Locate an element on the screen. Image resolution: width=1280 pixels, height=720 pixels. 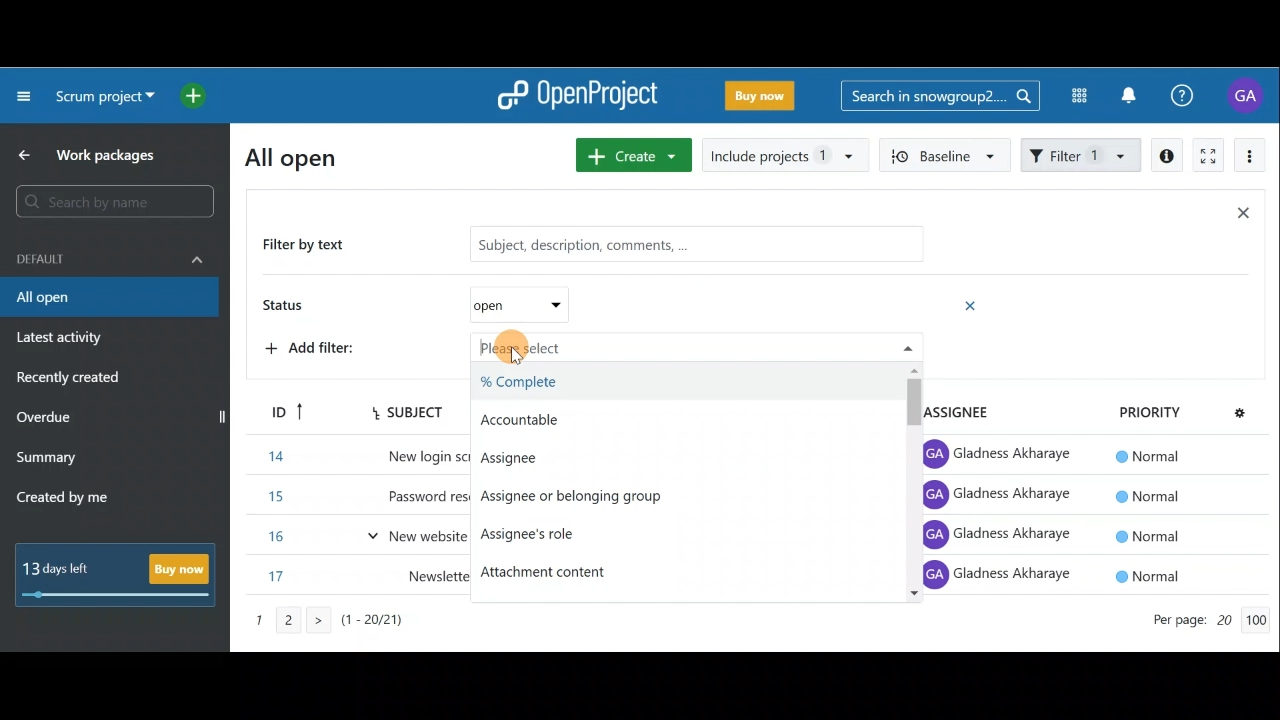
Collapse project menu is located at coordinates (25, 95).